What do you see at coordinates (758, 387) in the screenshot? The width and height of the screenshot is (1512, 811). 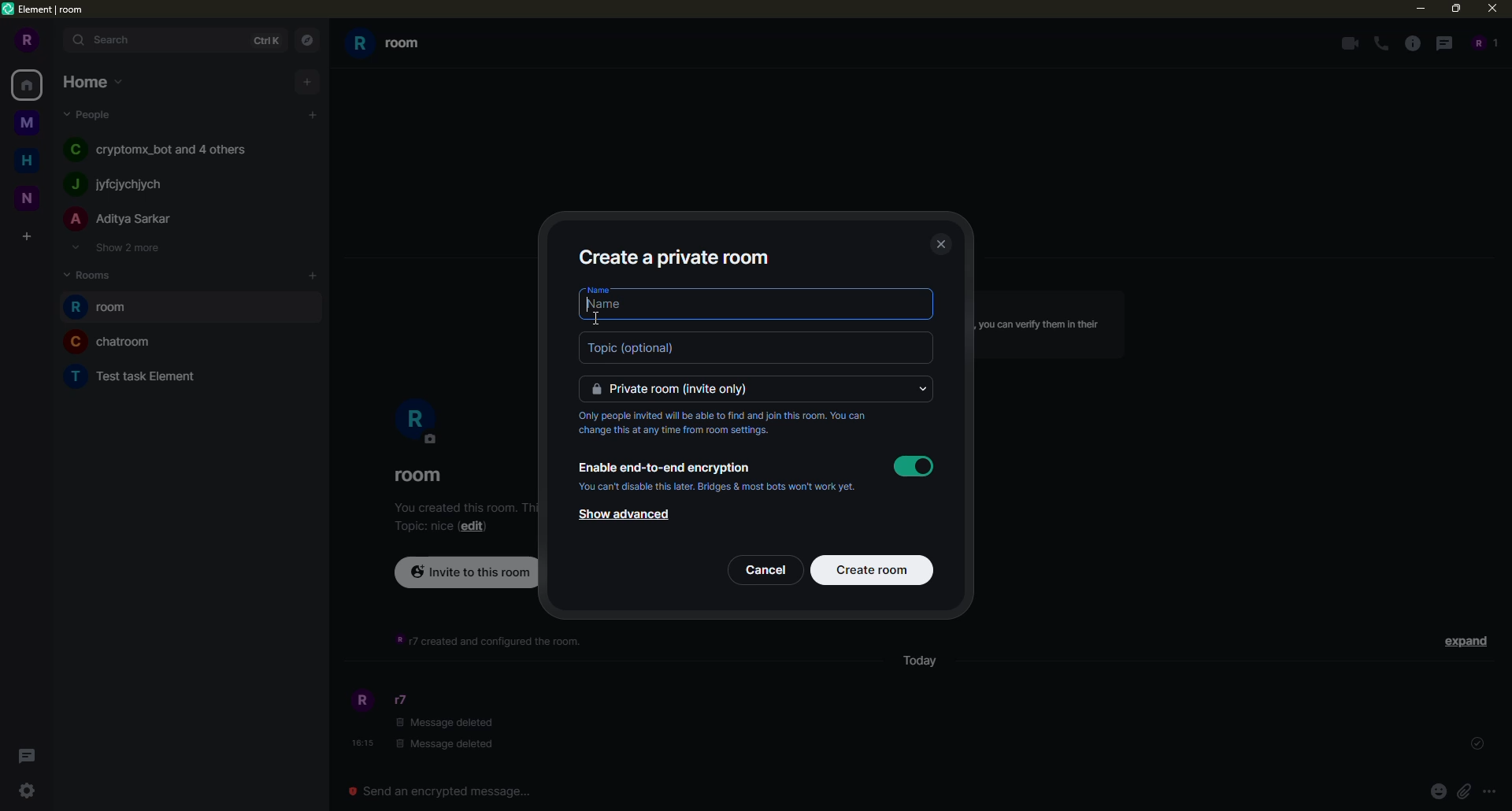 I see `private room invite only` at bounding box center [758, 387].